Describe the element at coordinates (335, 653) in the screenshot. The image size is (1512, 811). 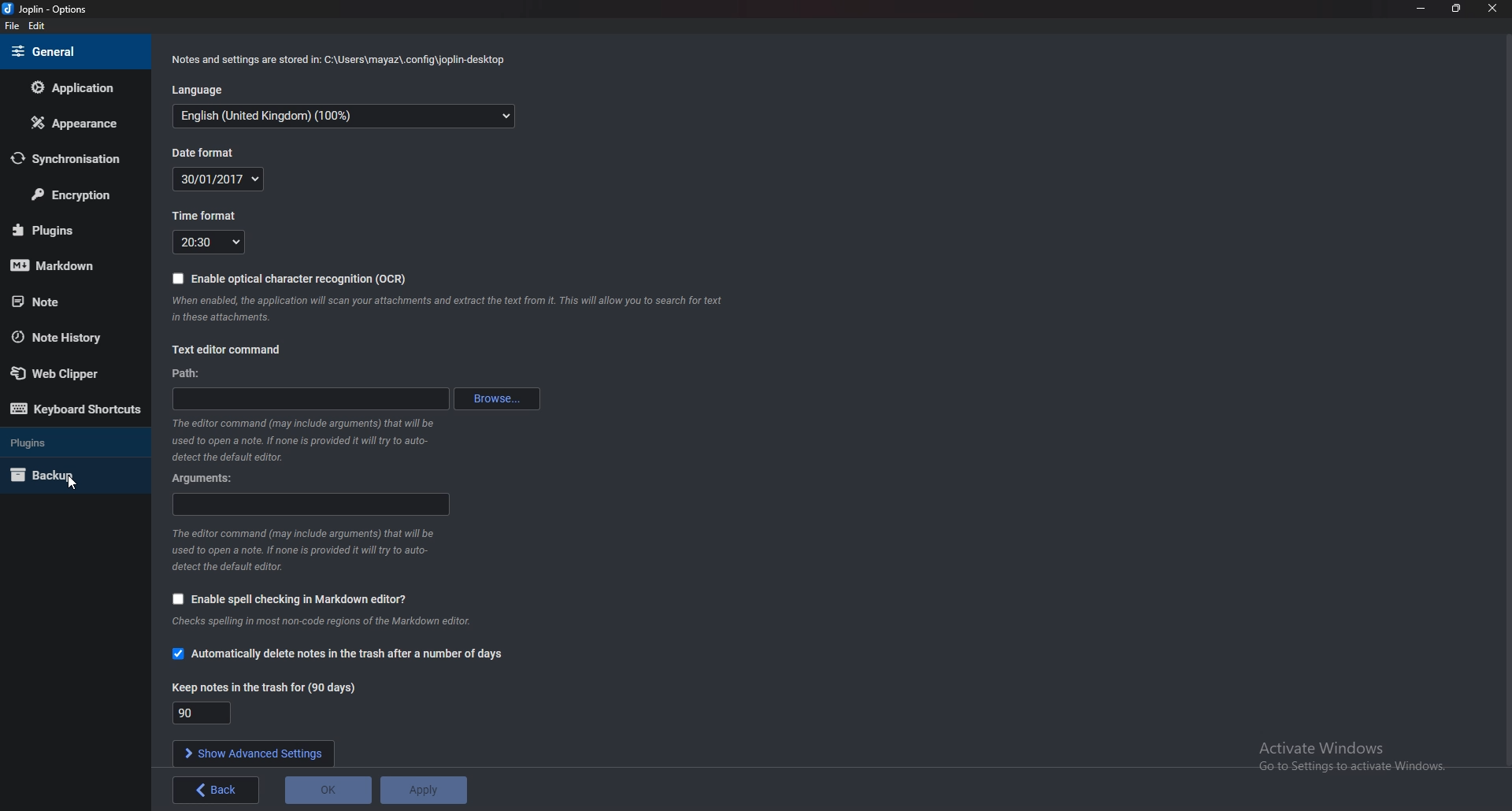
I see `Automatically delete notes` at that location.